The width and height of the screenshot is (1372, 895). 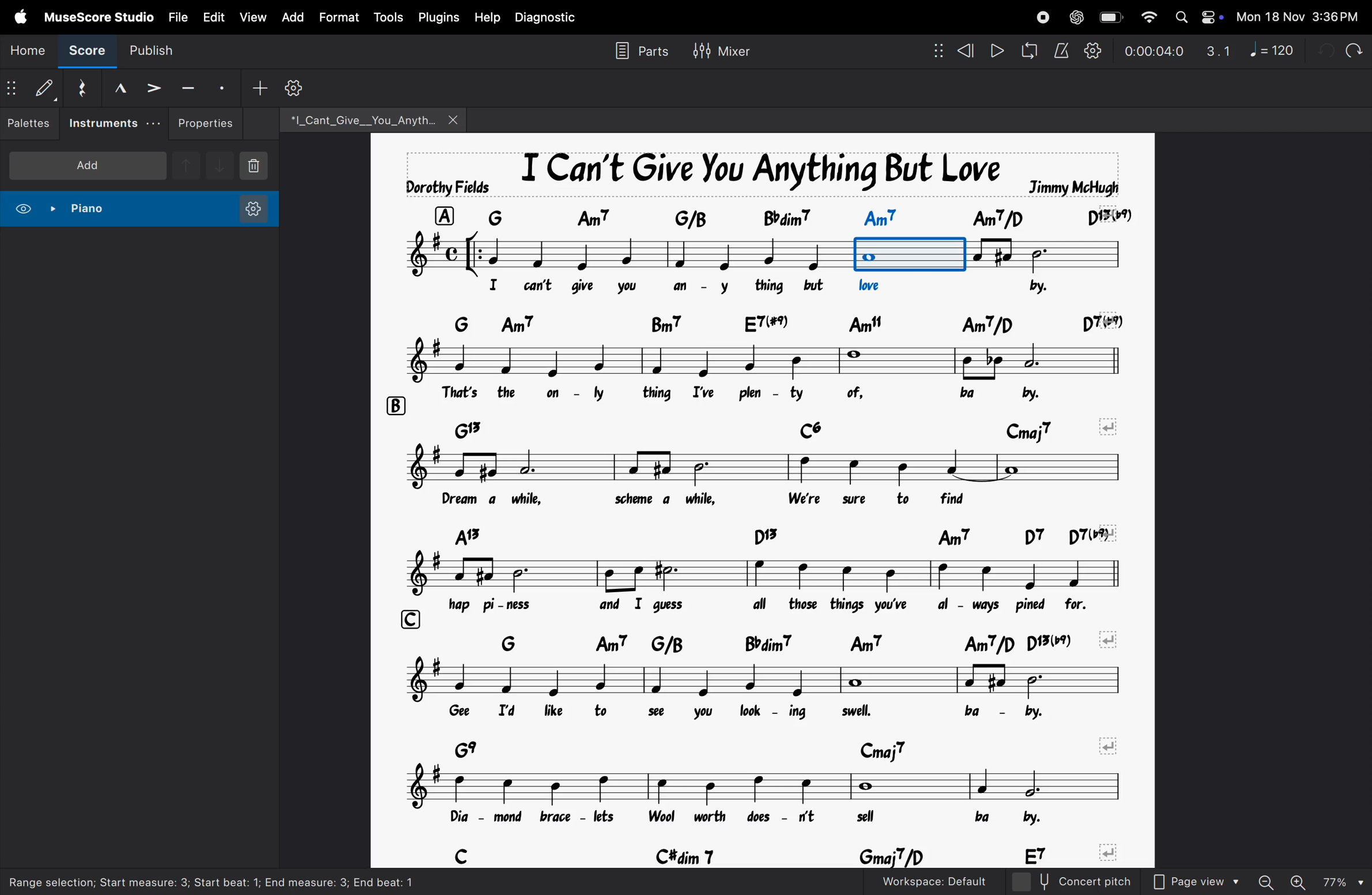 I want to click on chord symbols, so click(x=786, y=749).